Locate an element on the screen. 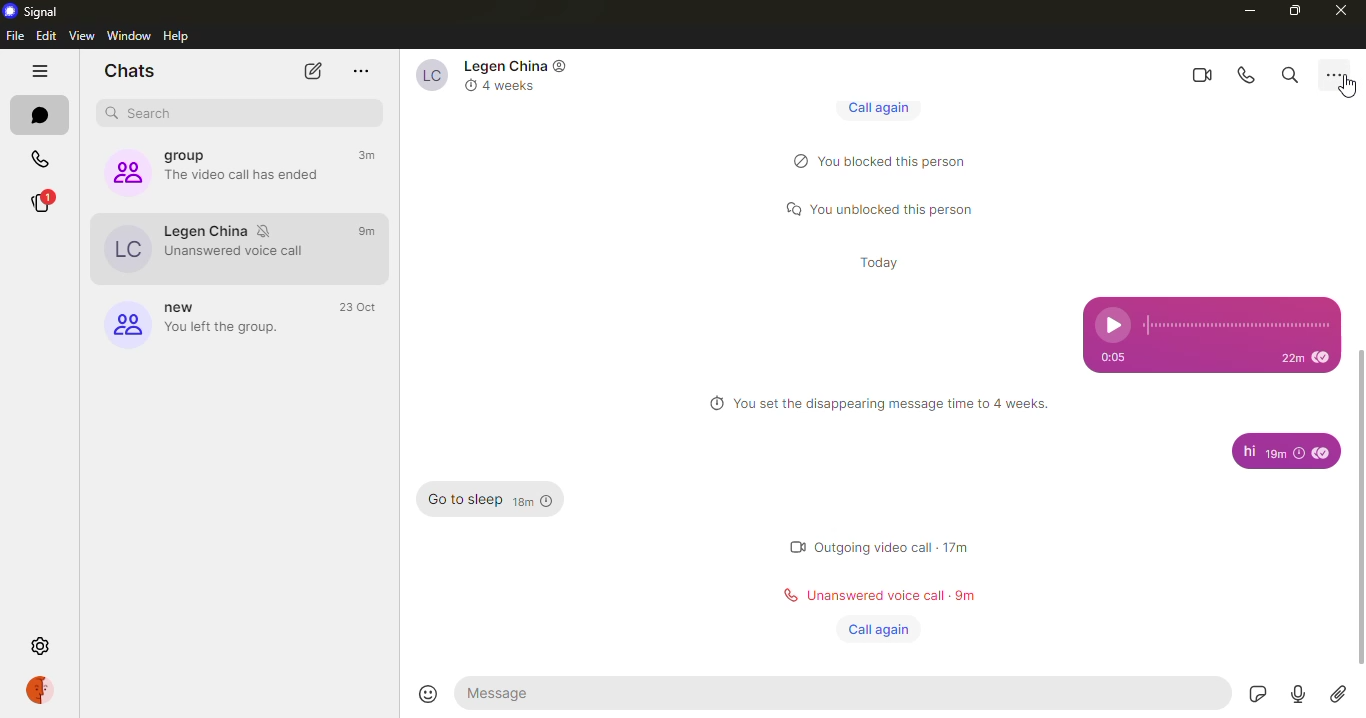  voice call is located at coordinates (1242, 75).